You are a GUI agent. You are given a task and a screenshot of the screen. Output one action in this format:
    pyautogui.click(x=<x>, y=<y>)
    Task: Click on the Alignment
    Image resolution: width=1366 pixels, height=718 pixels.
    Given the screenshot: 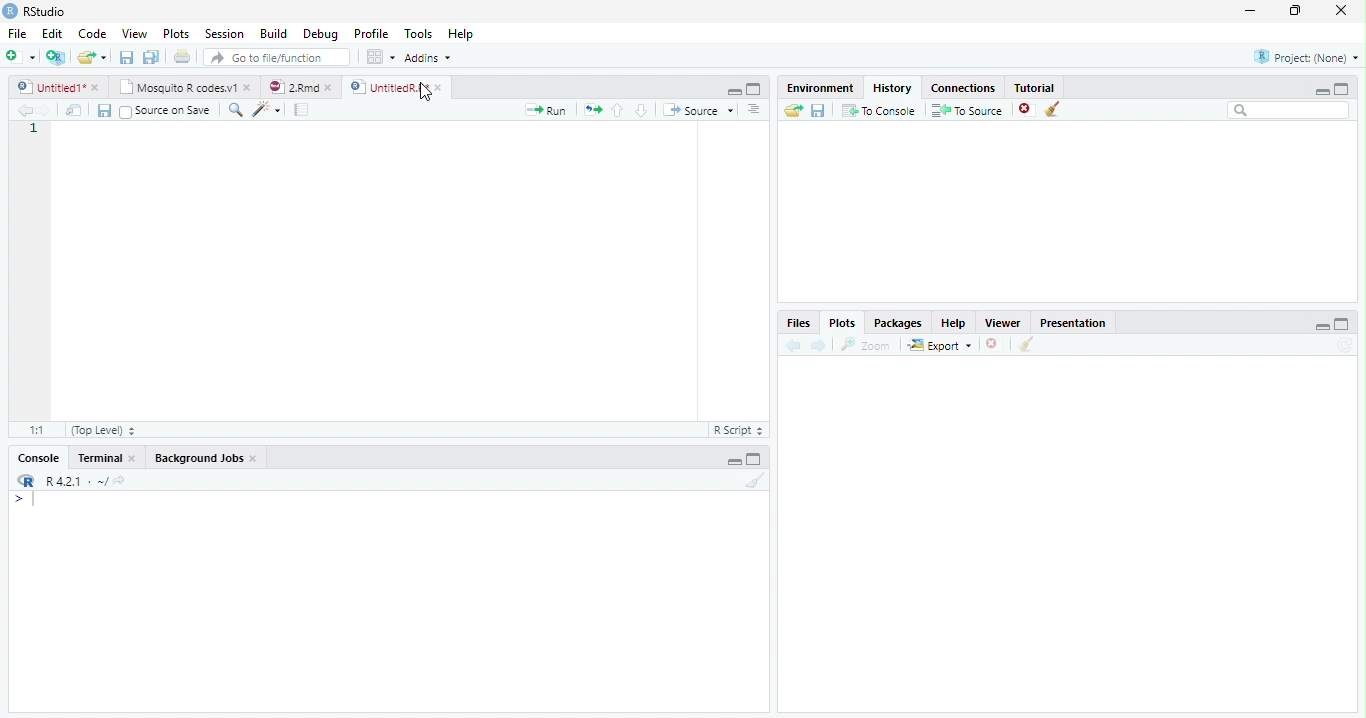 What is the action you would take?
    pyautogui.click(x=753, y=111)
    